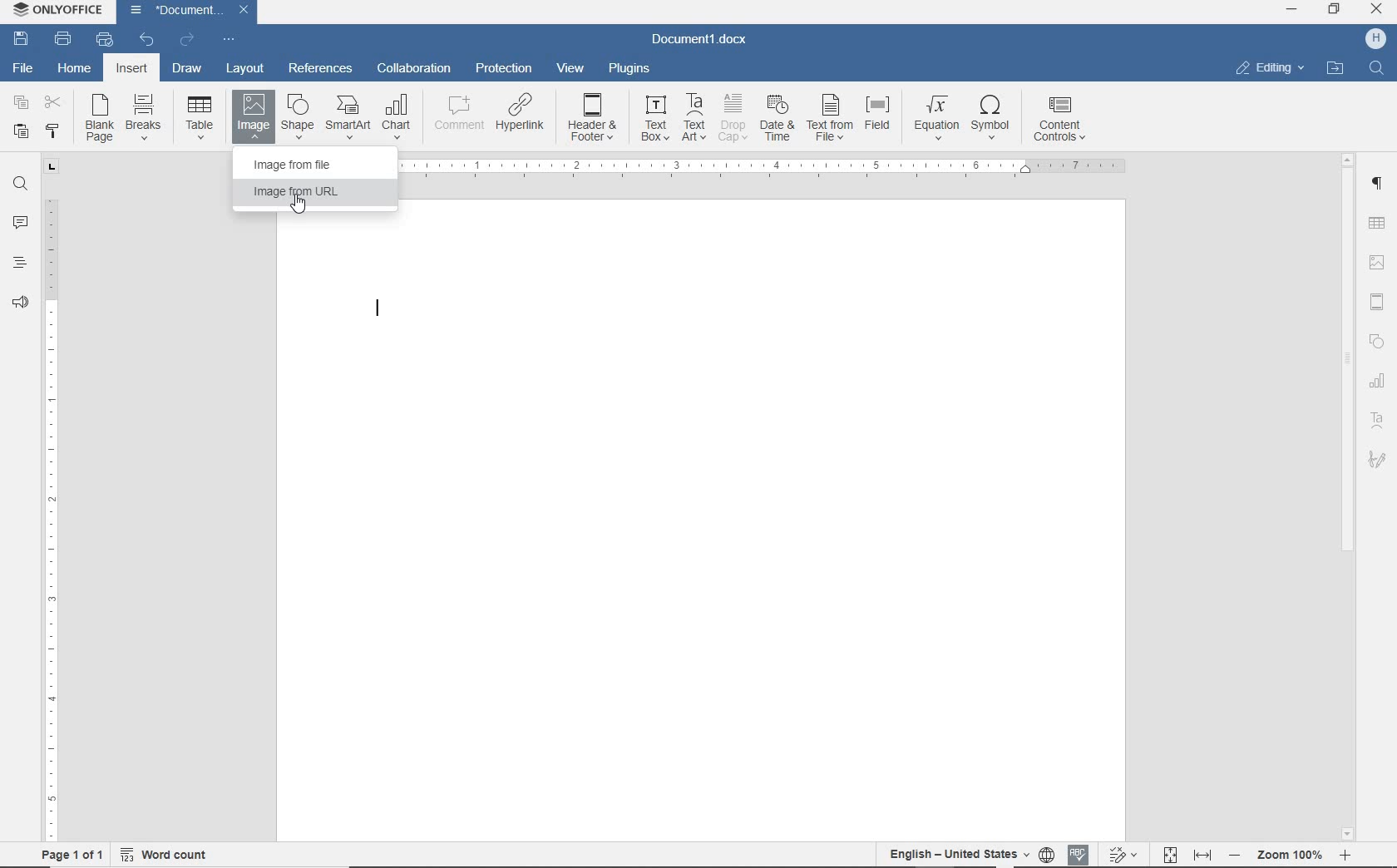 The height and width of the screenshot is (868, 1397). Describe the element at coordinates (298, 116) in the screenshot. I see `shape` at that location.